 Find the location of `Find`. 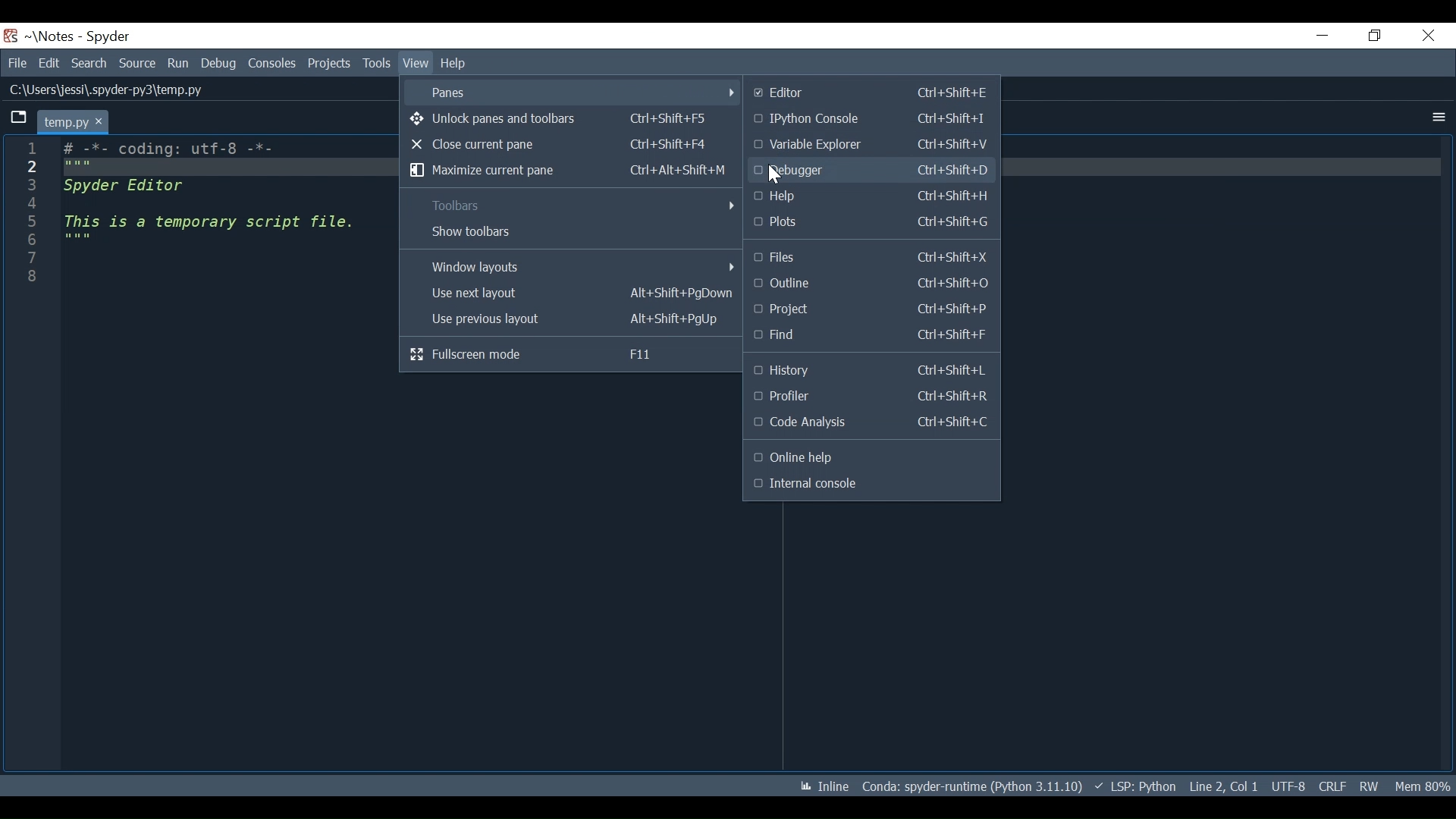

Find is located at coordinates (871, 334).